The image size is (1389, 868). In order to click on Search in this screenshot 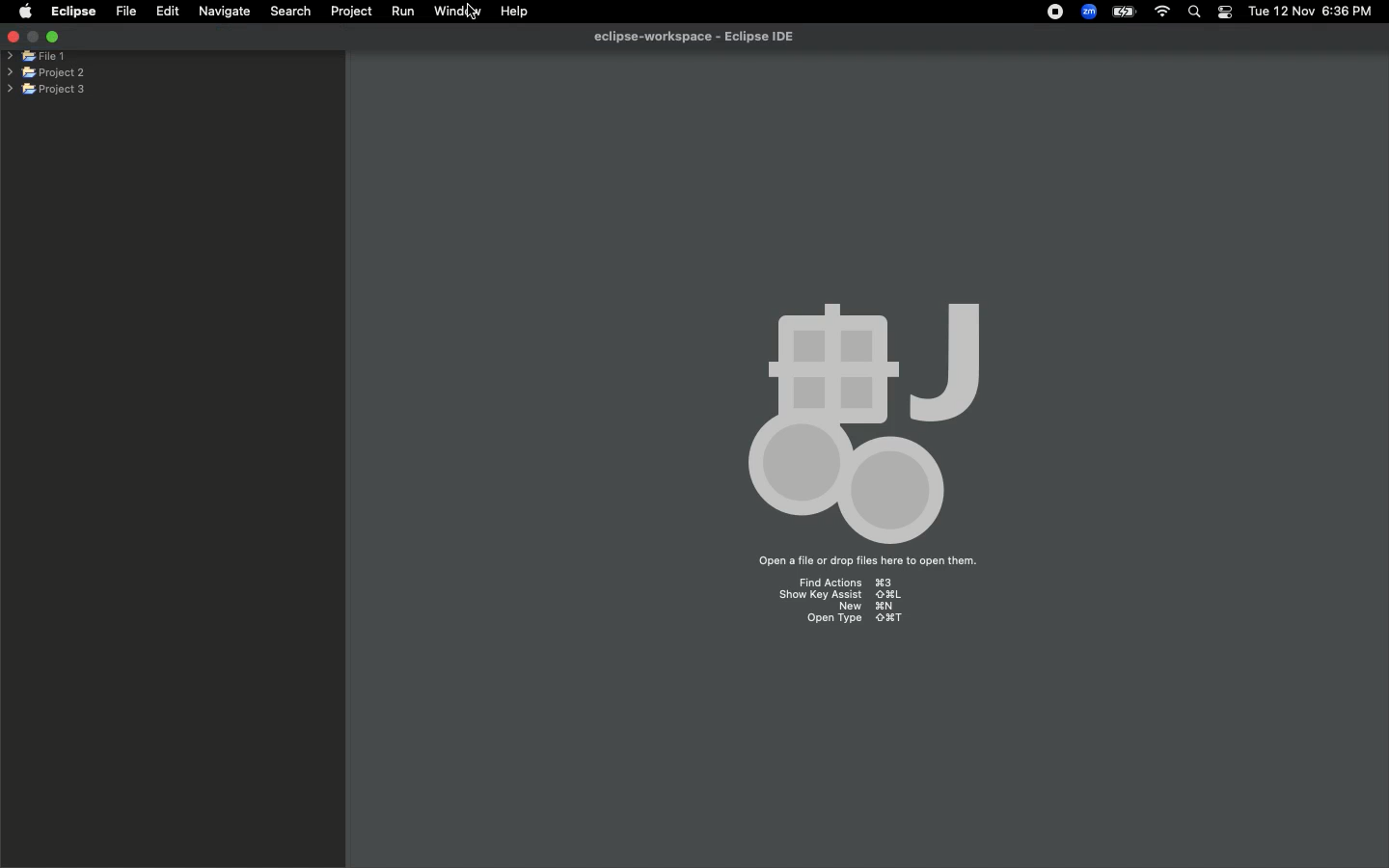, I will do `click(1195, 14)`.